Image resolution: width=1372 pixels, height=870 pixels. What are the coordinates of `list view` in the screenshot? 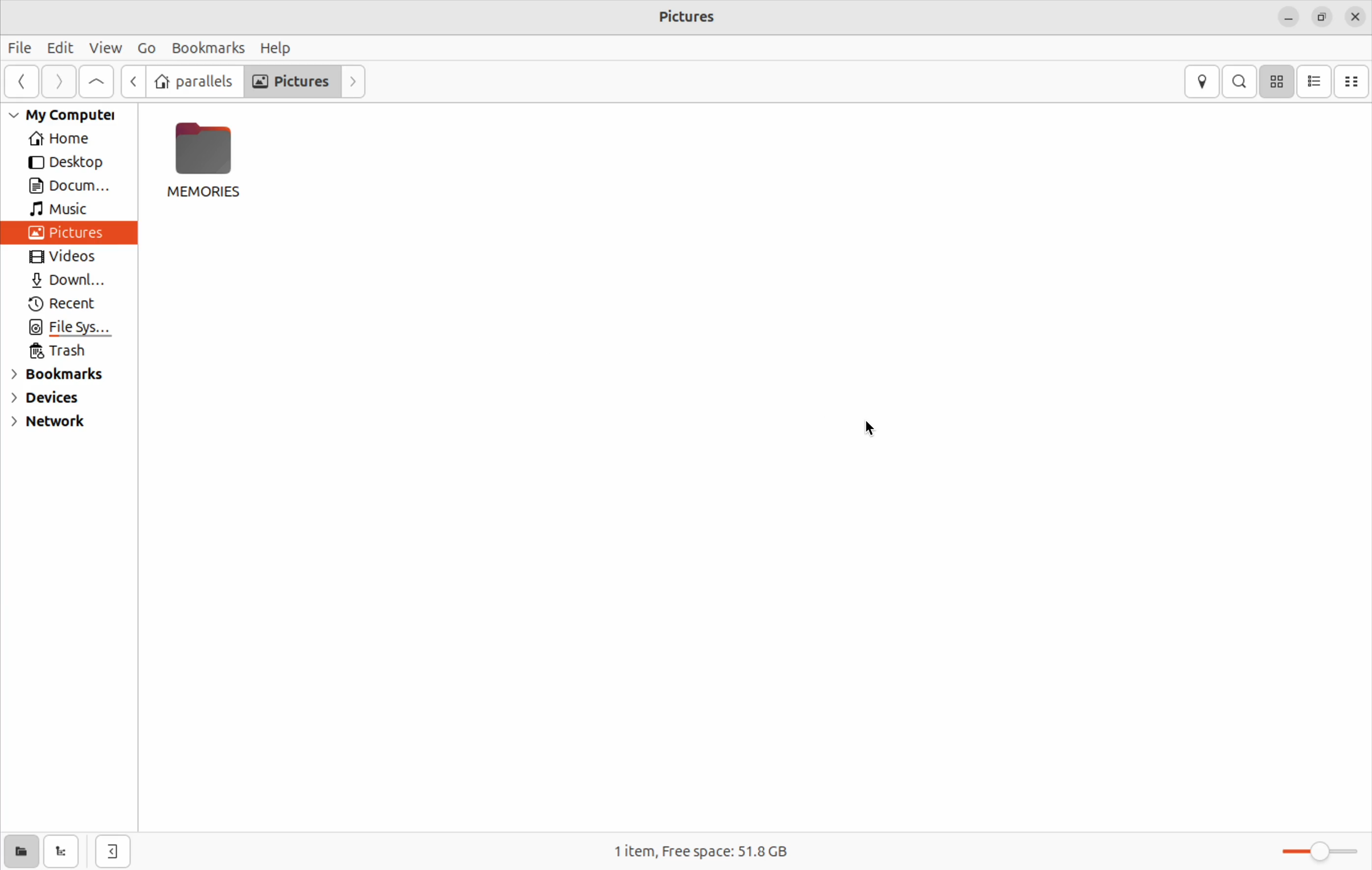 It's located at (1315, 81).